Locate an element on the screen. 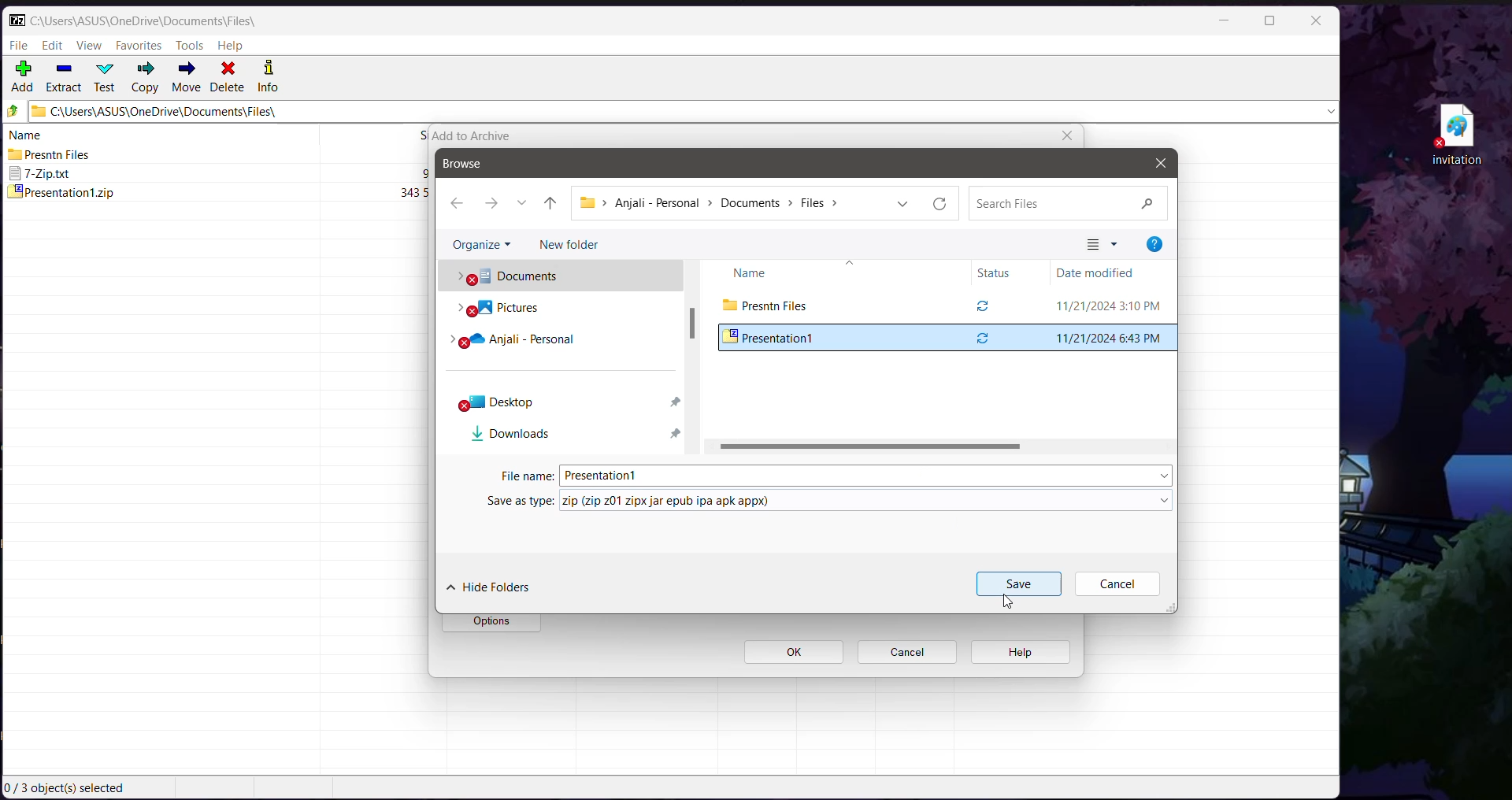 The width and height of the screenshot is (1512, 800). Change your view is located at coordinates (1101, 245).